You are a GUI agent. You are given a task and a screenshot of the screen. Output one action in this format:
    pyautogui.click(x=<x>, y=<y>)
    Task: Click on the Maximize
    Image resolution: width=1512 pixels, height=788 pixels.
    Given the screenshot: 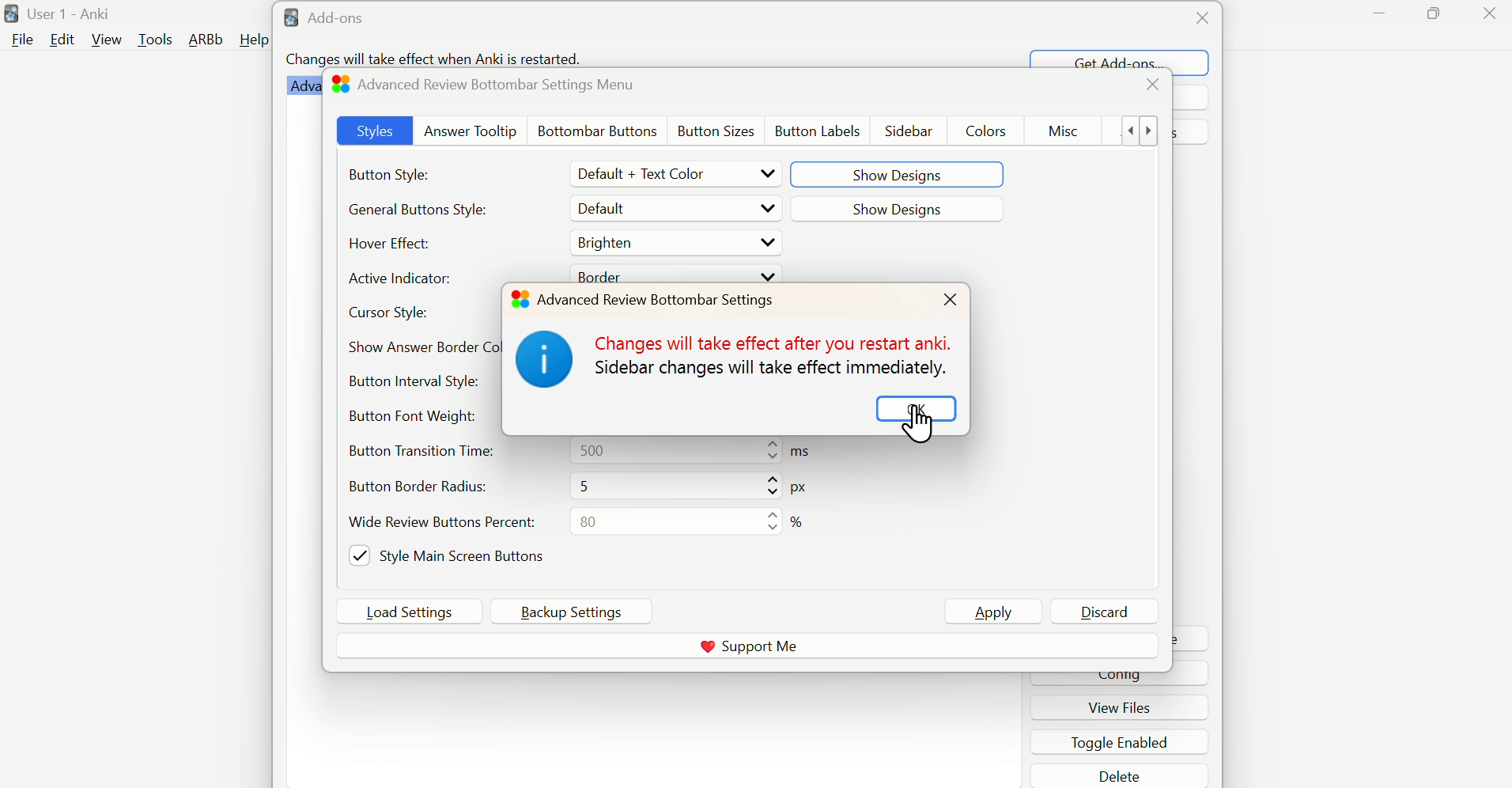 What is the action you would take?
    pyautogui.click(x=1438, y=13)
    